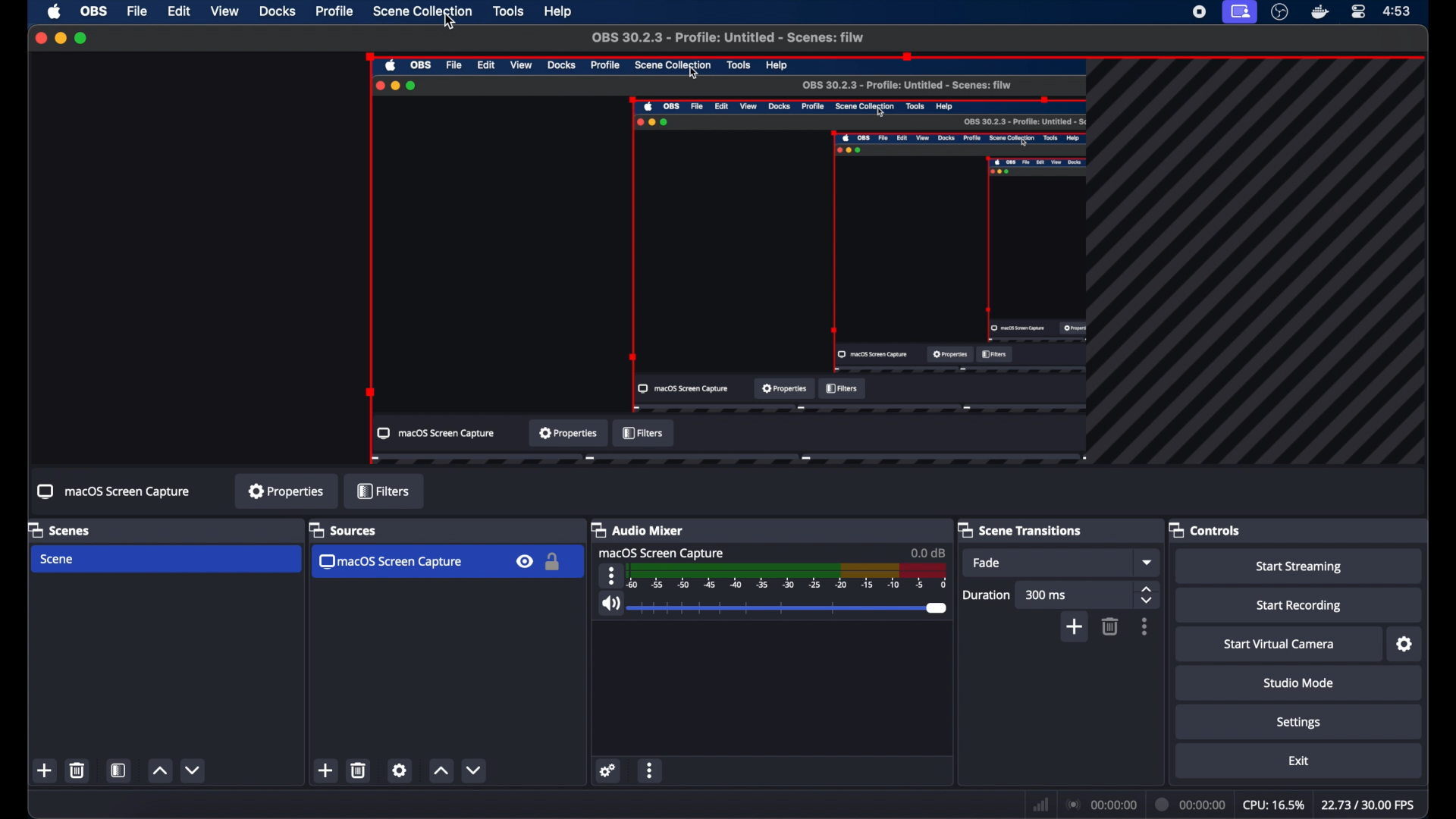 The image size is (1456, 819). Describe the element at coordinates (1373, 805) in the screenshot. I see `fps` at that location.